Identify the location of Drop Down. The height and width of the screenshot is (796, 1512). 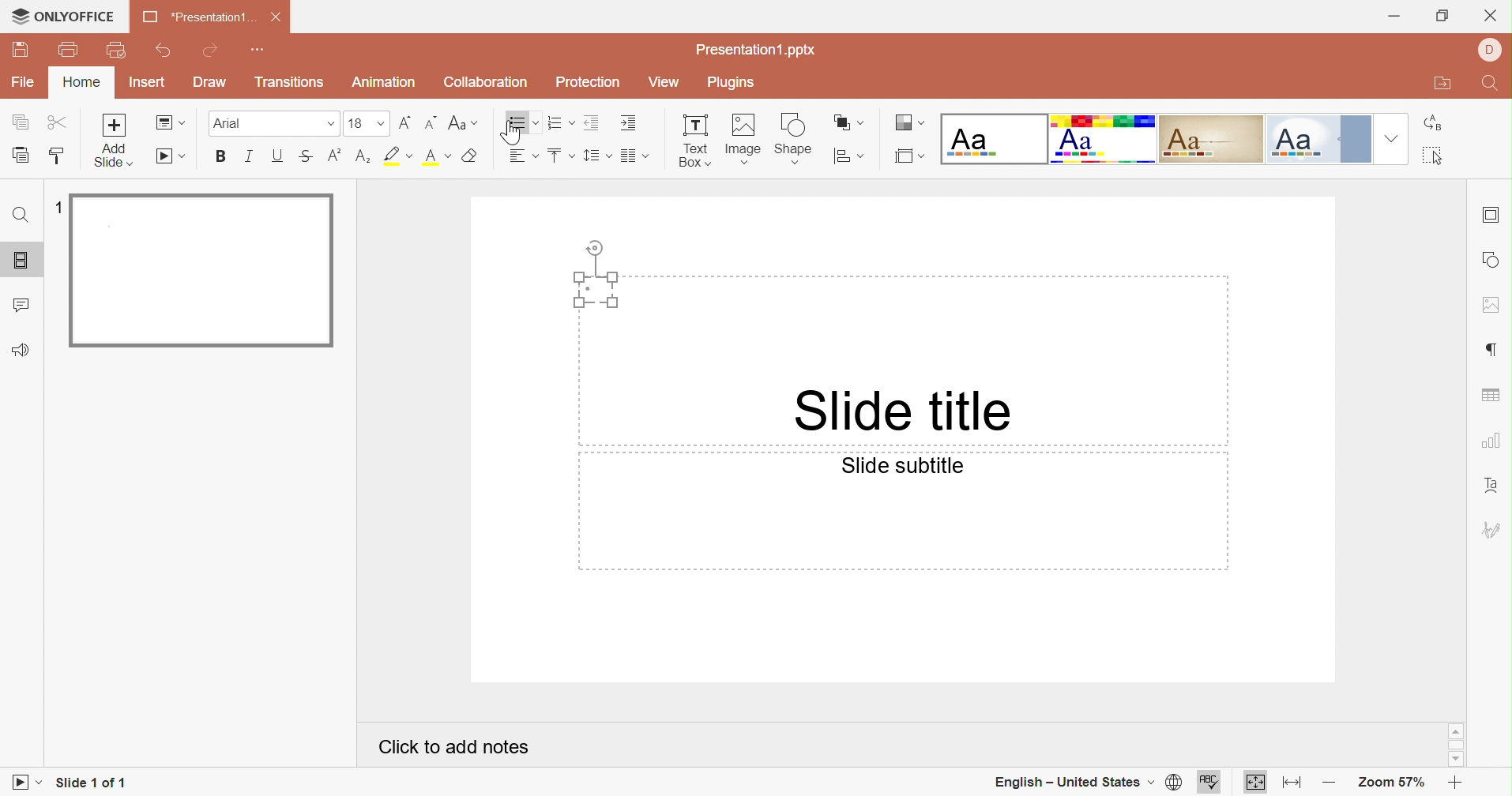
(379, 123).